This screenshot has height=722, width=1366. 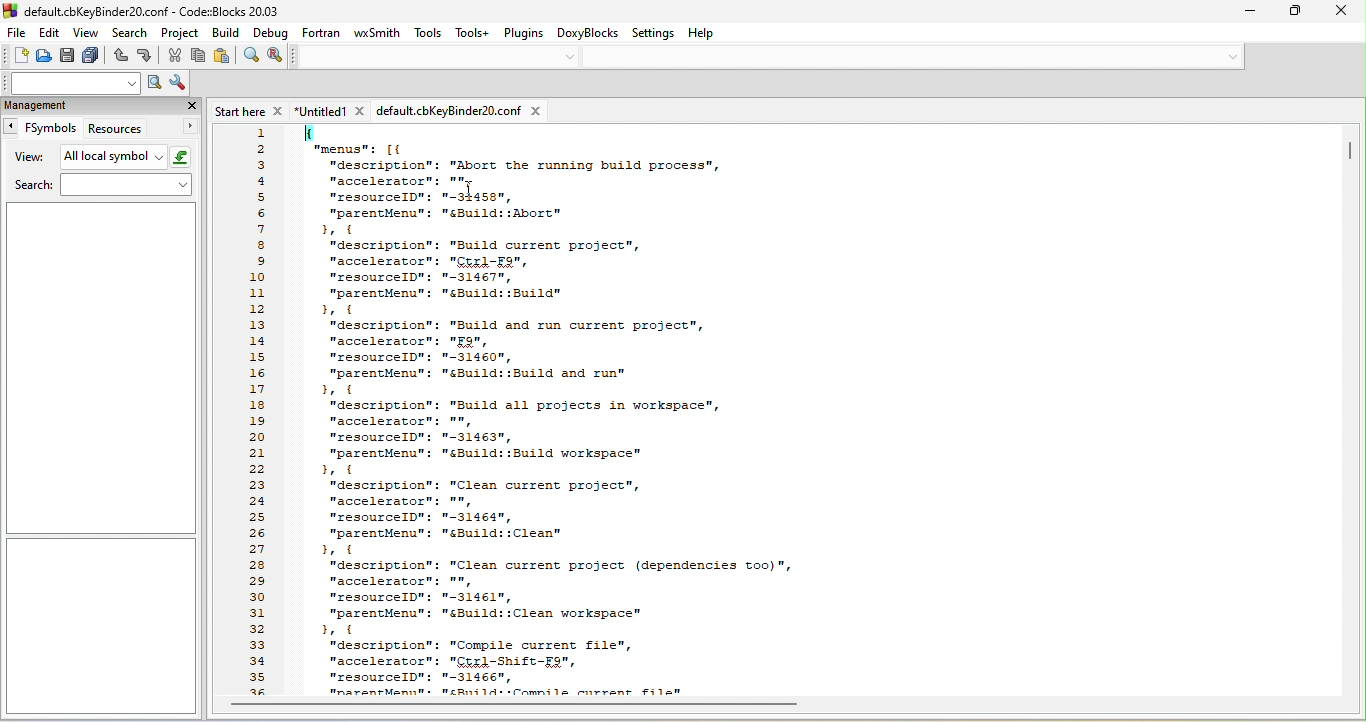 I want to click on start here, so click(x=245, y=107).